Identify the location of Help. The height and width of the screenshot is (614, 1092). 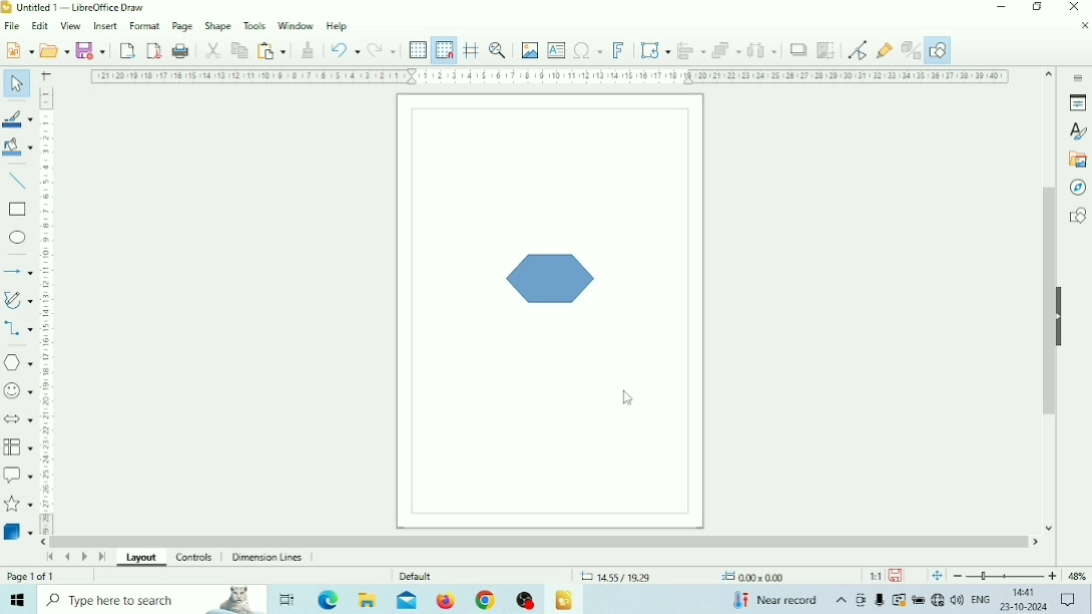
(338, 27).